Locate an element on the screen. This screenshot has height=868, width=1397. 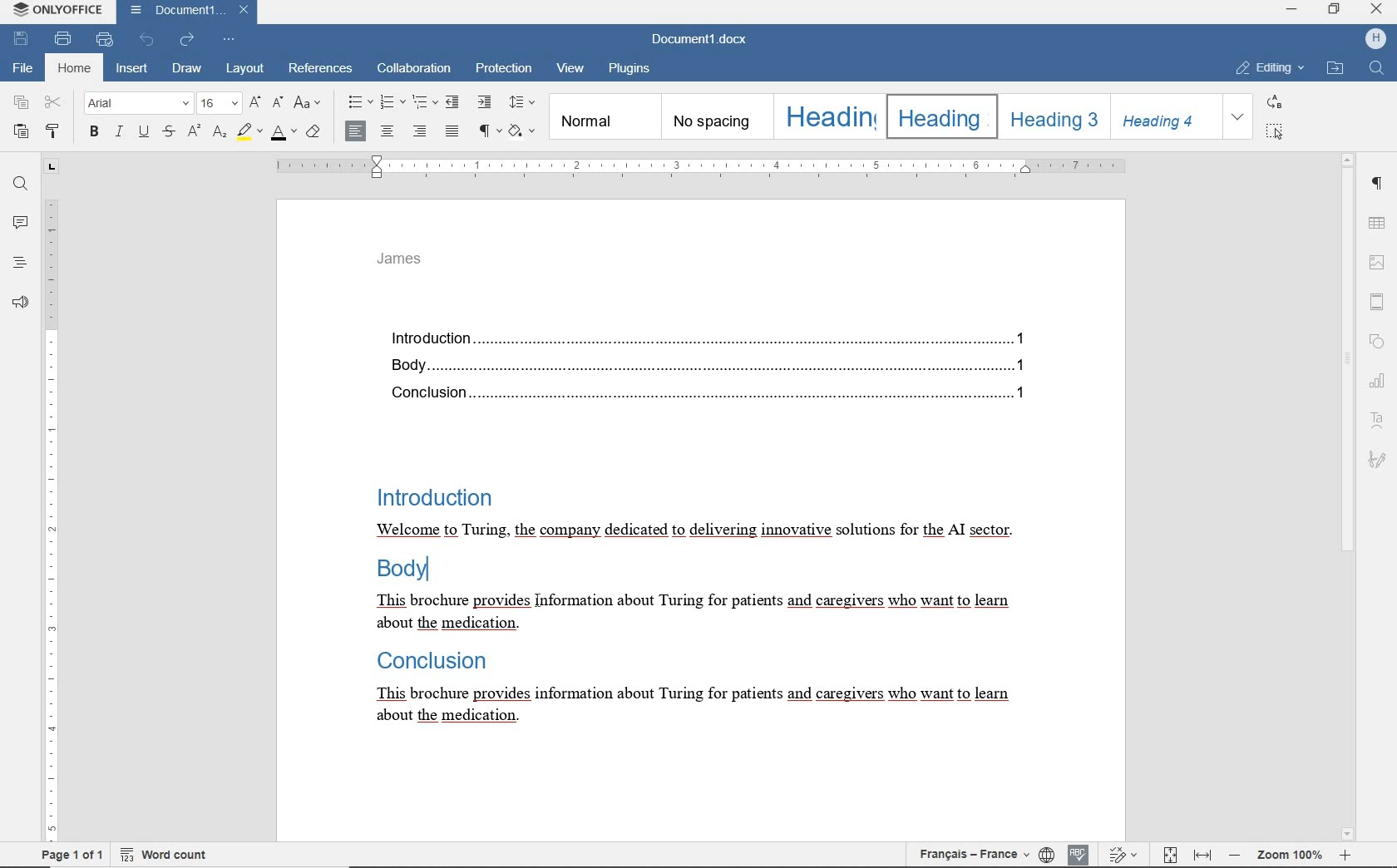
LAYOUT is located at coordinates (243, 70).